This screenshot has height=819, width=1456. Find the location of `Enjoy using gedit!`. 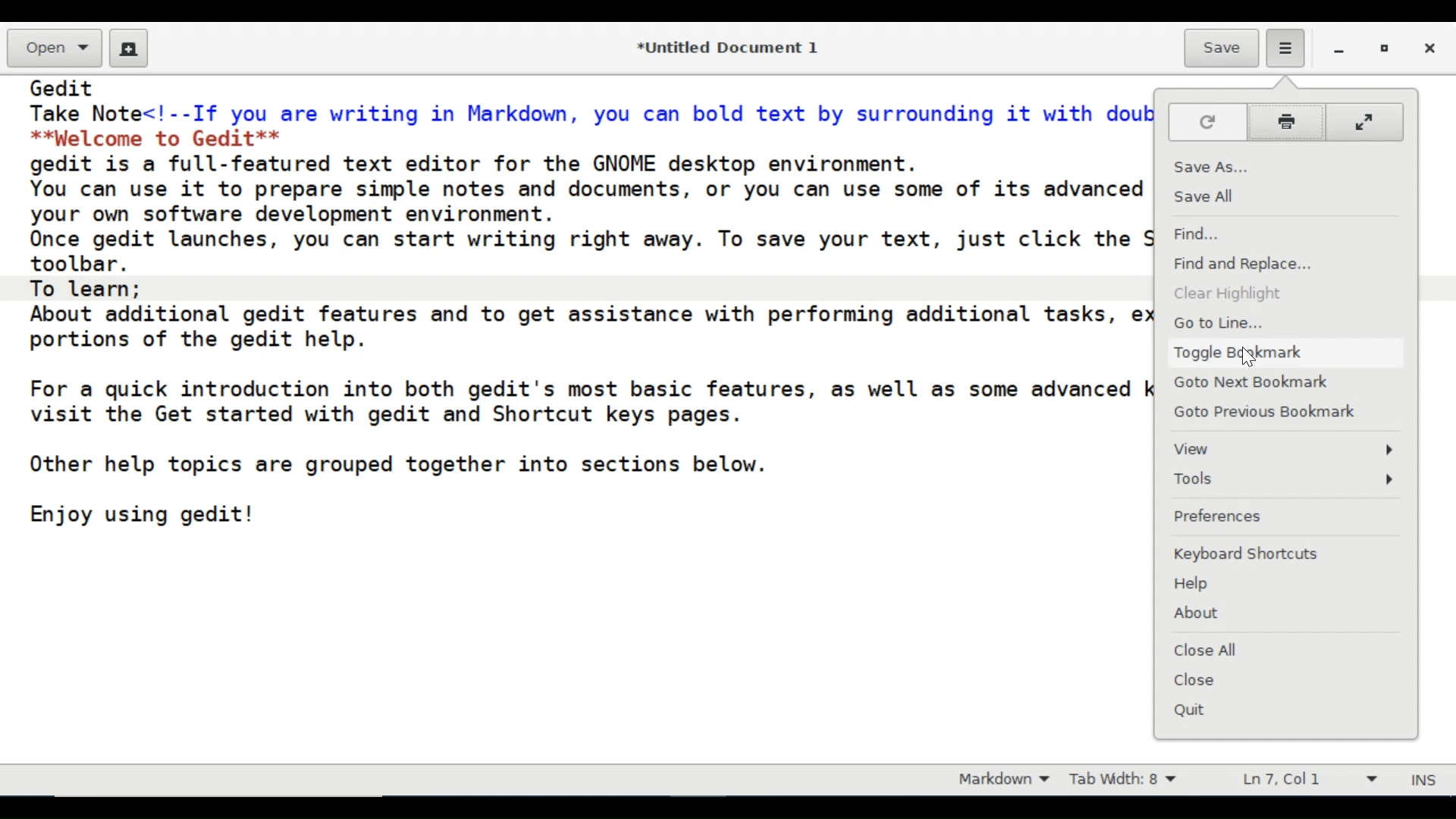

Enjoy using gedit! is located at coordinates (143, 513).